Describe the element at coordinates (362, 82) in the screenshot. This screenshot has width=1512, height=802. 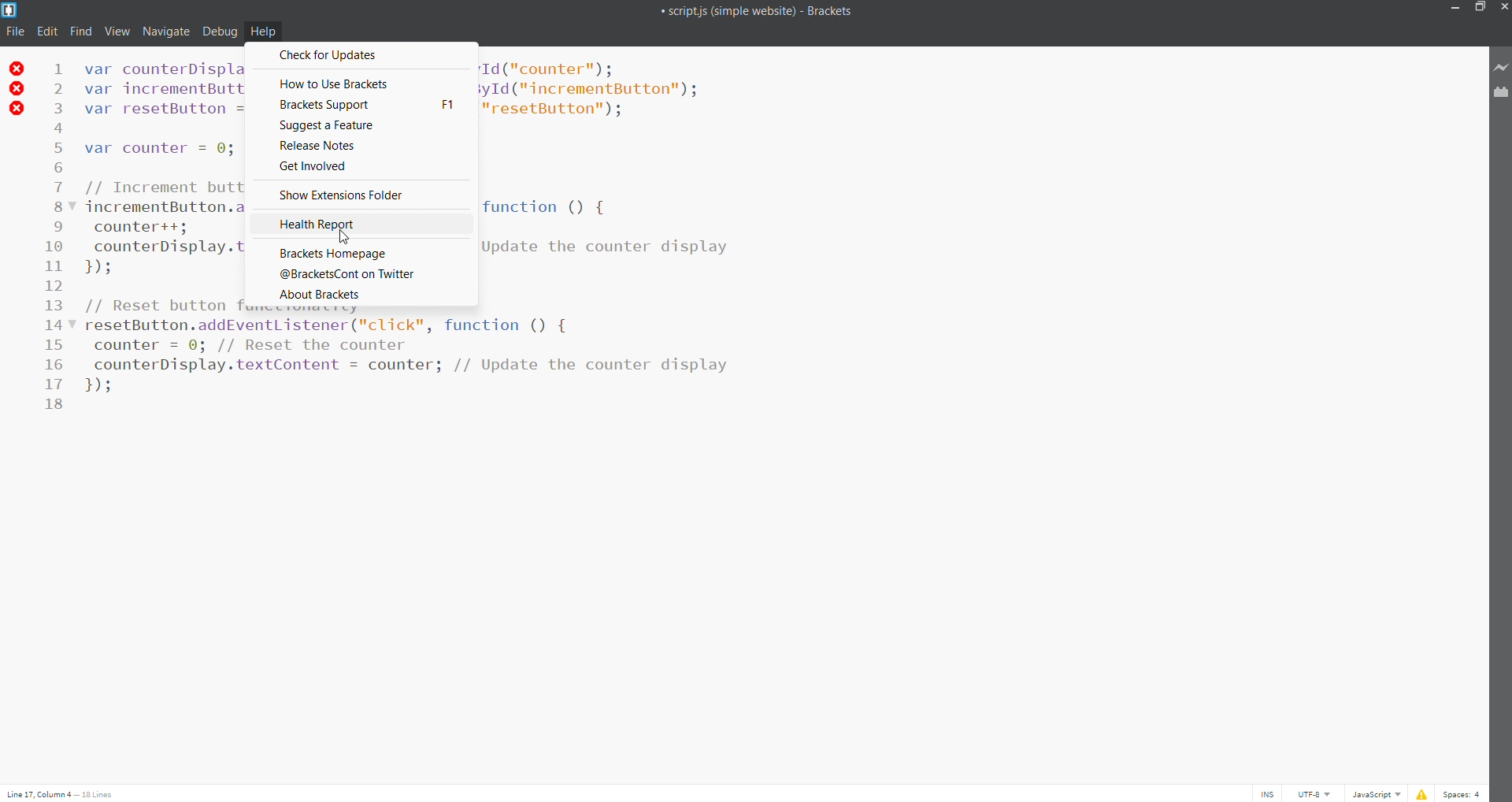
I see `how to use brackets` at that location.